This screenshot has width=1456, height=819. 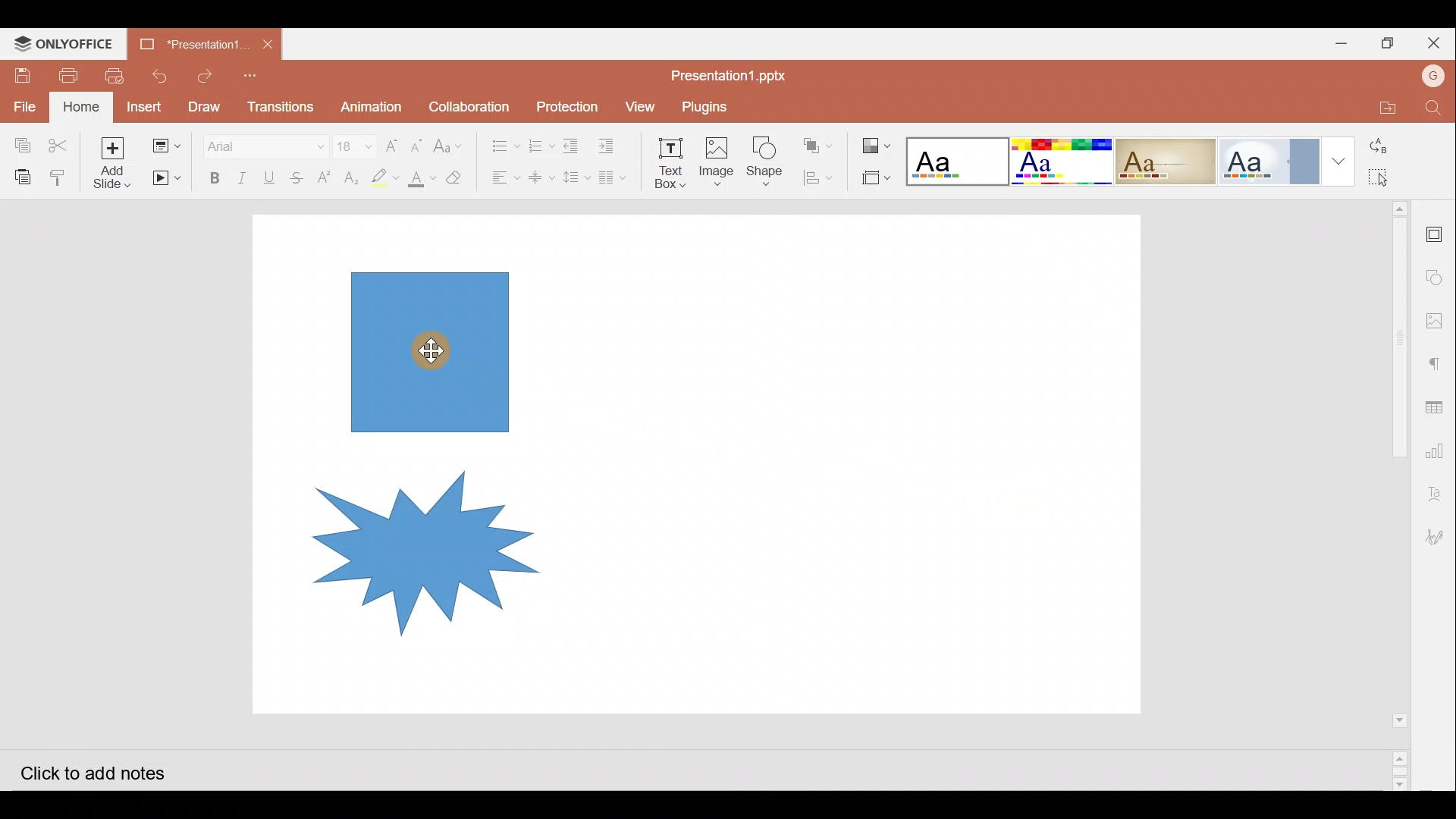 I want to click on ONLYOFFICE, so click(x=67, y=42).